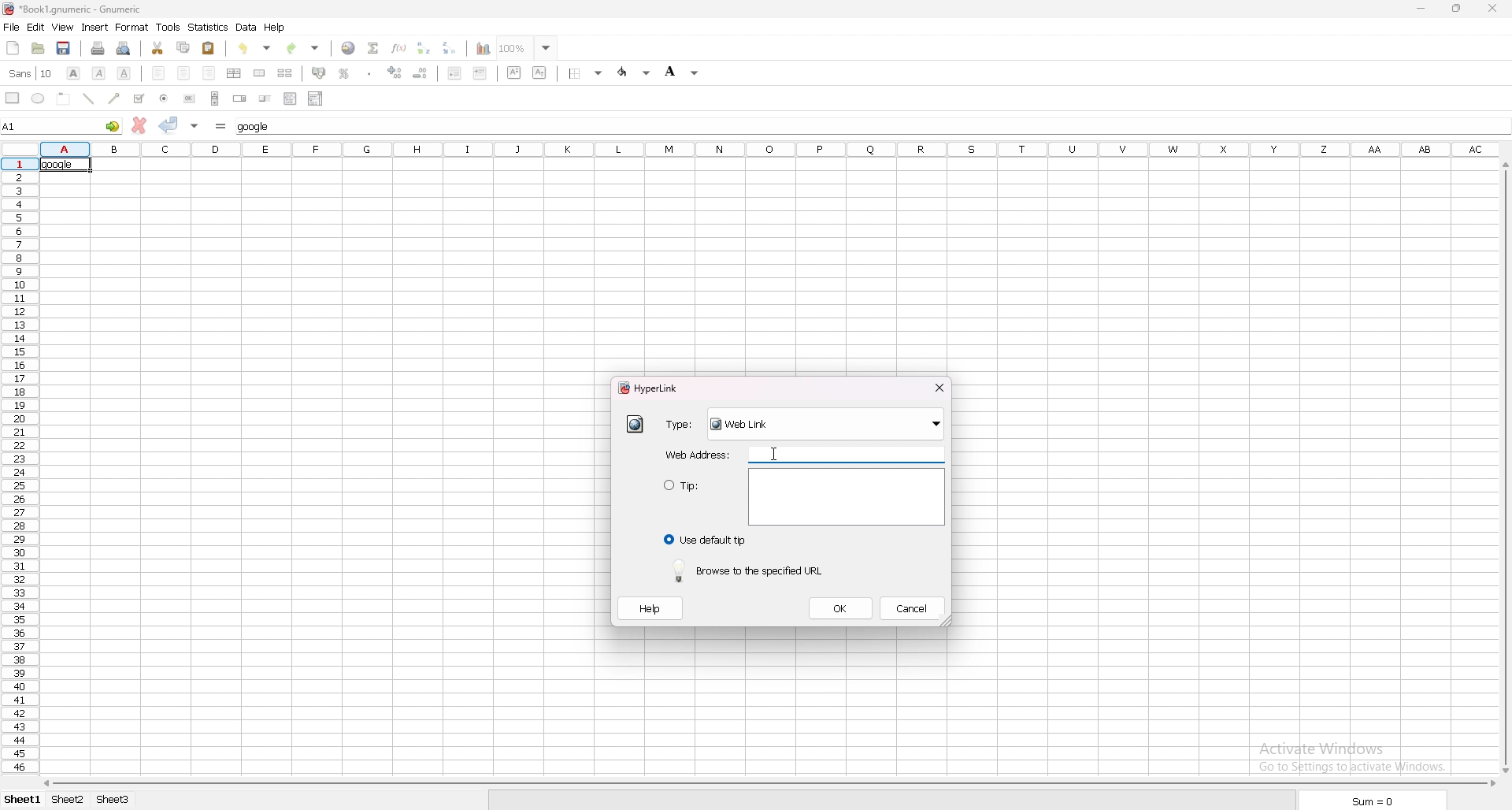  Describe the element at coordinates (239, 98) in the screenshot. I see `spin button` at that location.